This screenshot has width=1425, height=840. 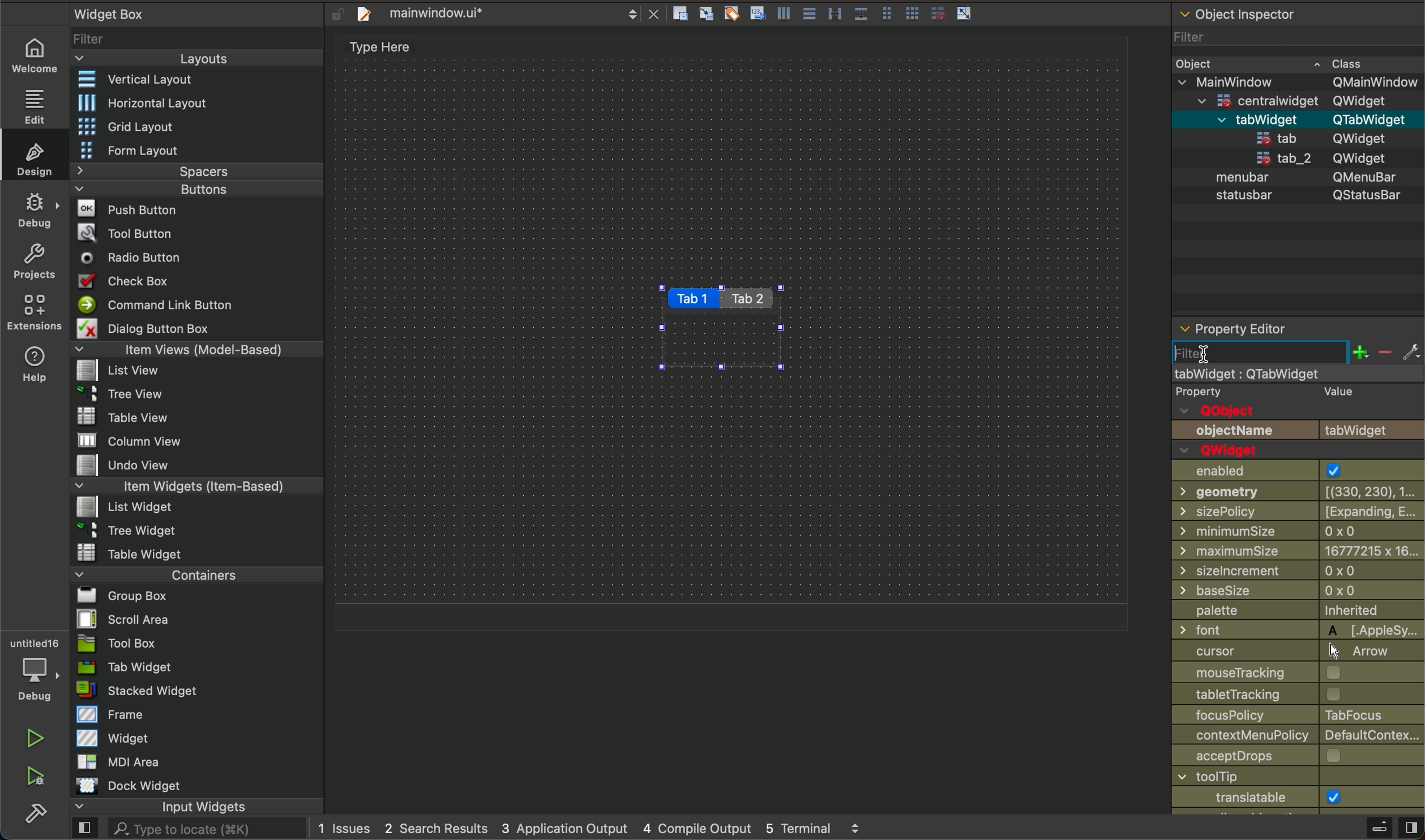 What do you see at coordinates (1270, 160) in the screenshot?
I see `tab_2` at bounding box center [1270, 160].